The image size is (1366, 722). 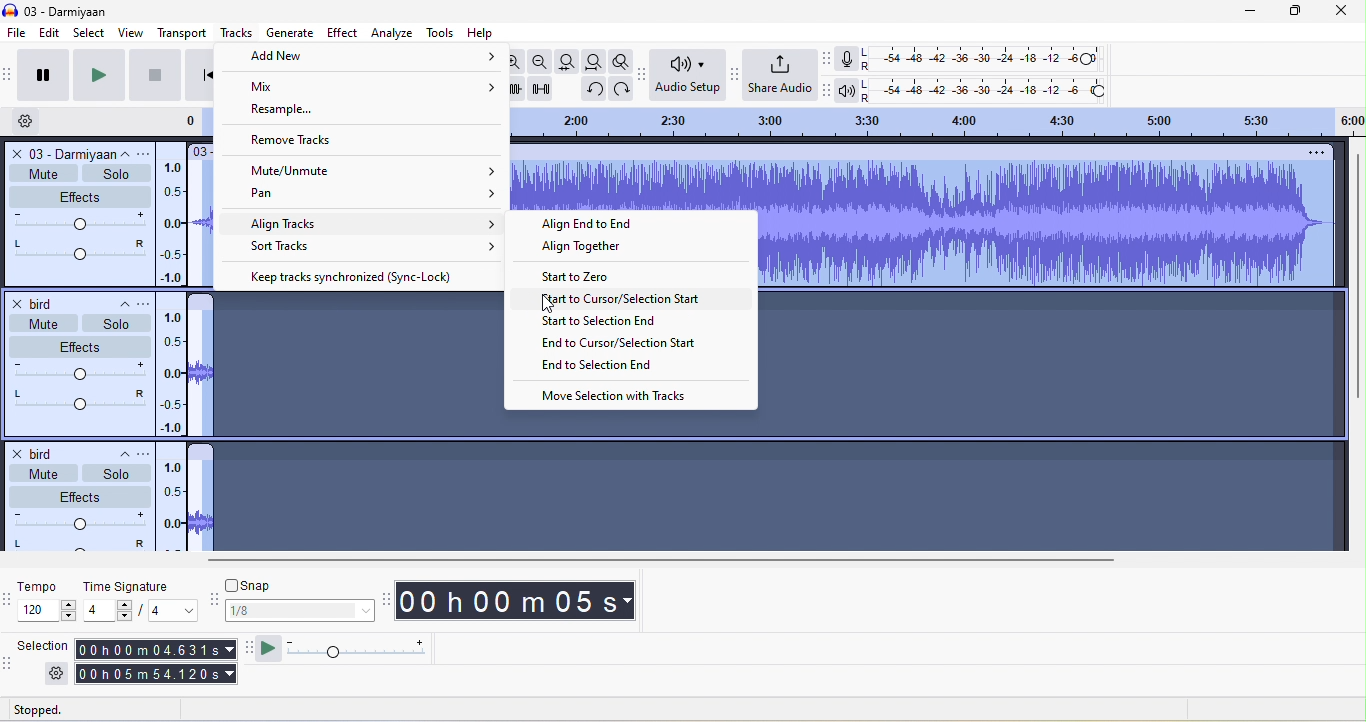 What do you see at coordinates (197, 74) in the screenshot?
I see `skip to start` at bounding box center [197, 74].